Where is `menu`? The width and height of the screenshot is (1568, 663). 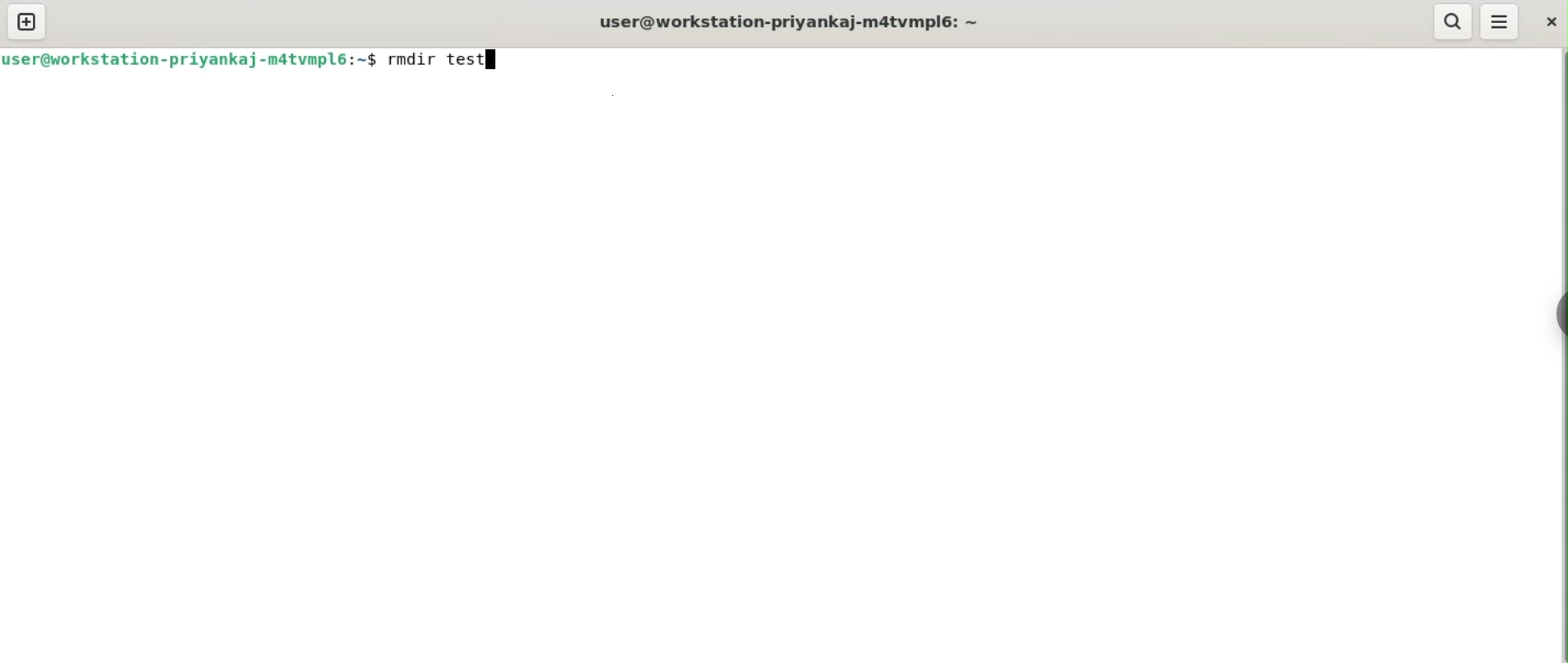 menu is located at coordinates (1499, 22).